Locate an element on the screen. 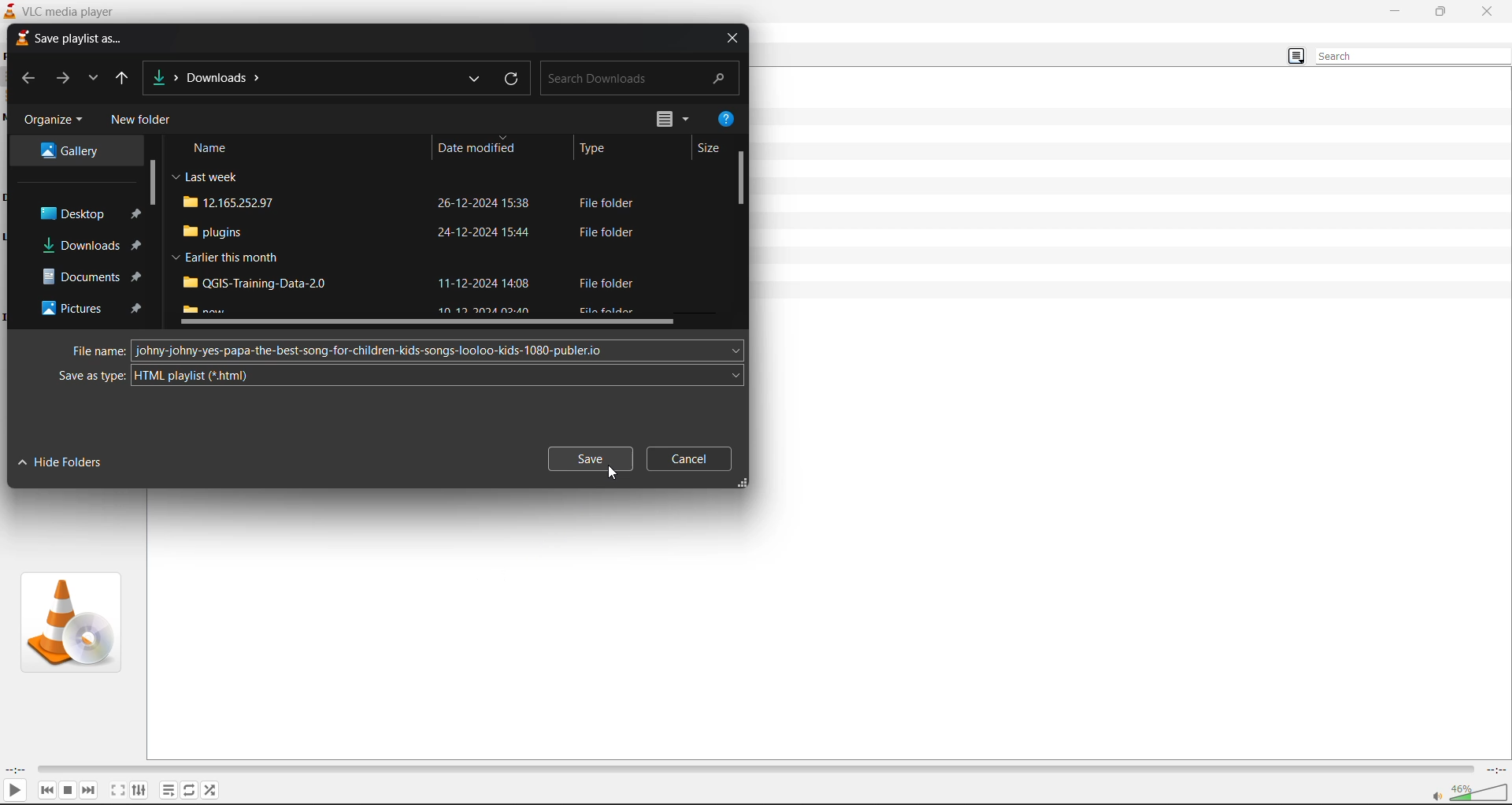 The height and width of the screenshot is (805, 1512). forward is located at coordinates (61, 80).